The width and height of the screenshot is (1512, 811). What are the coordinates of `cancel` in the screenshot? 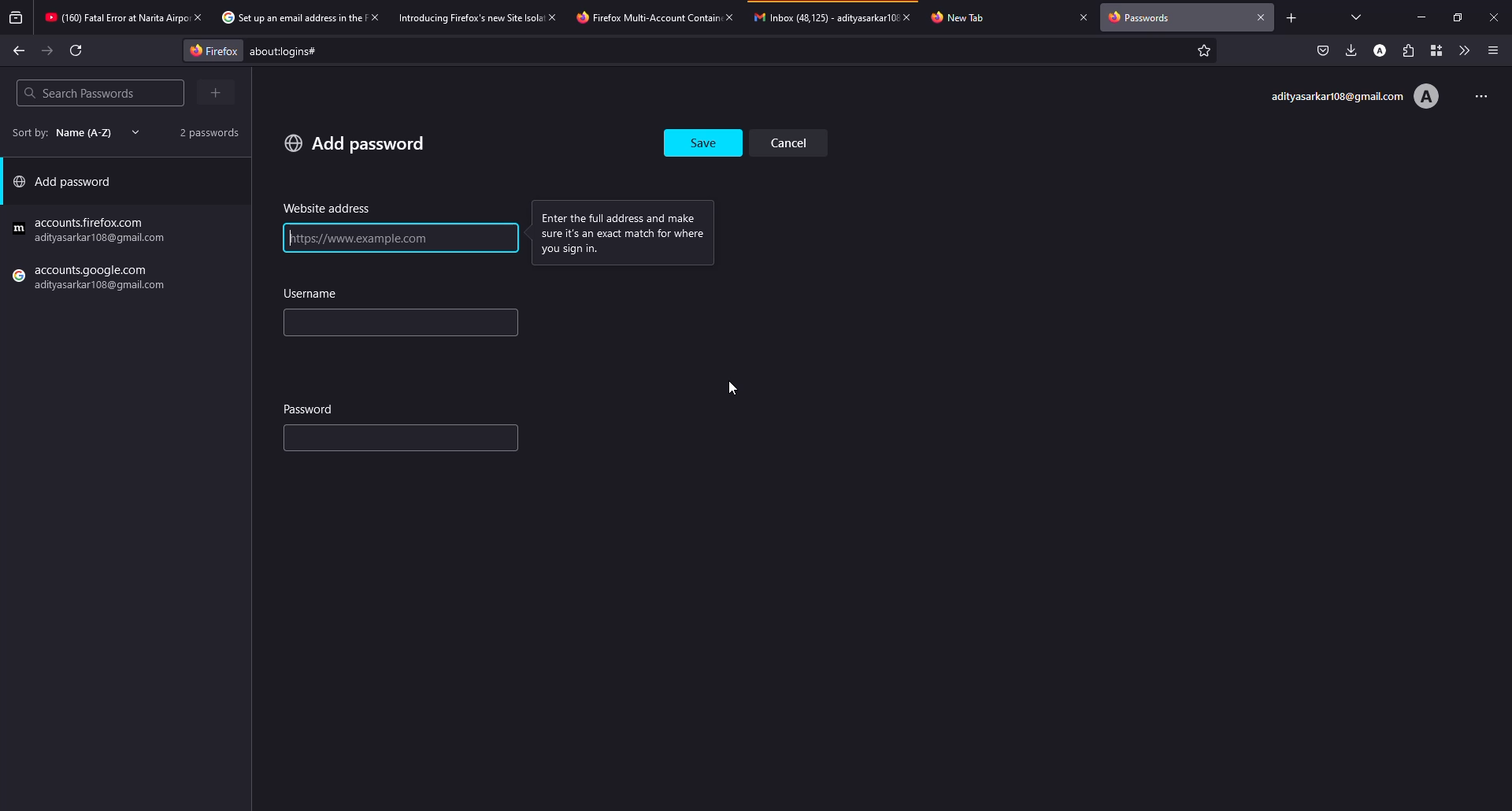 It's located at (795, 142).